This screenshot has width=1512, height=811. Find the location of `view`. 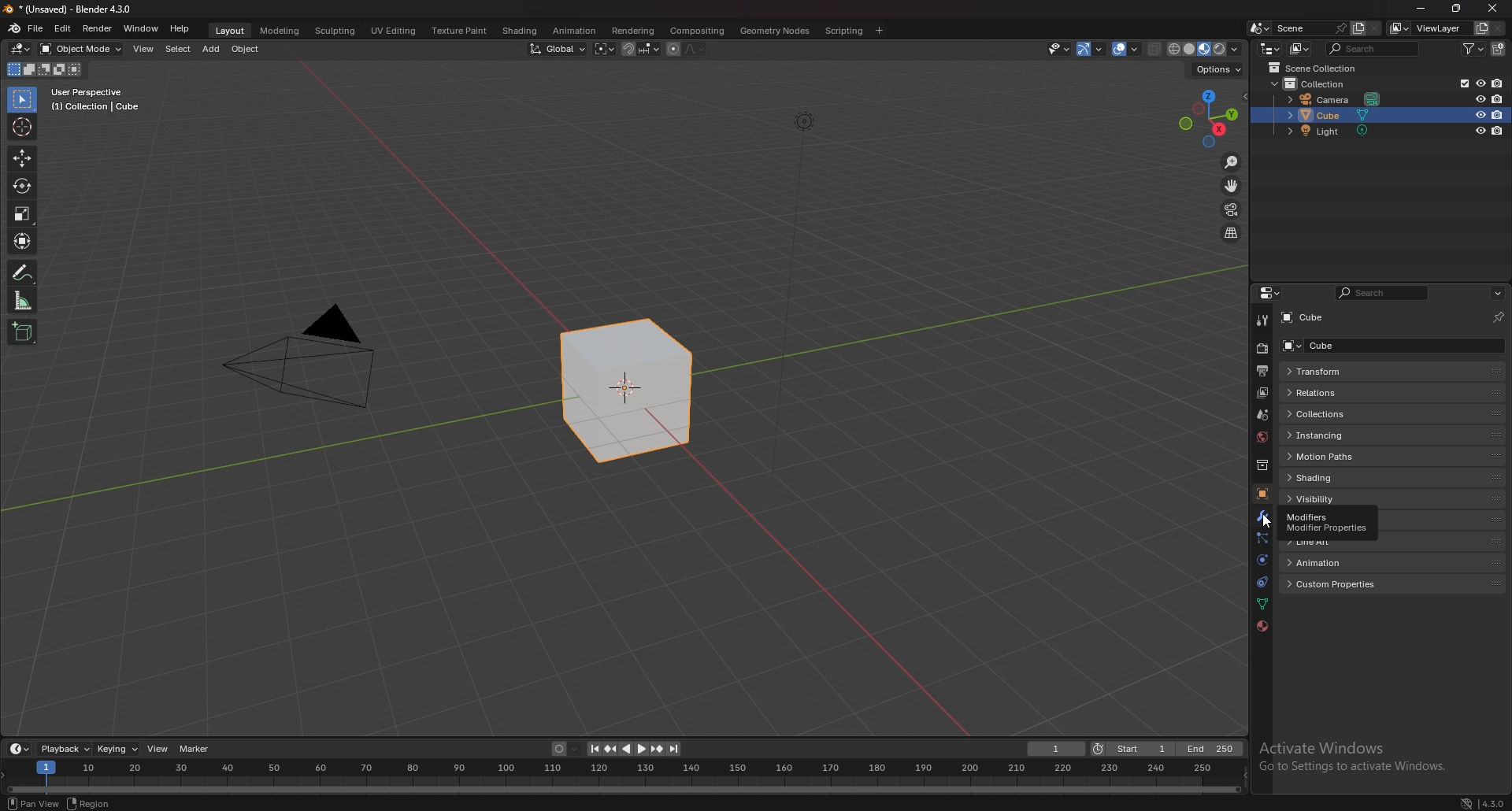

view is located at coordinates (35, 803).